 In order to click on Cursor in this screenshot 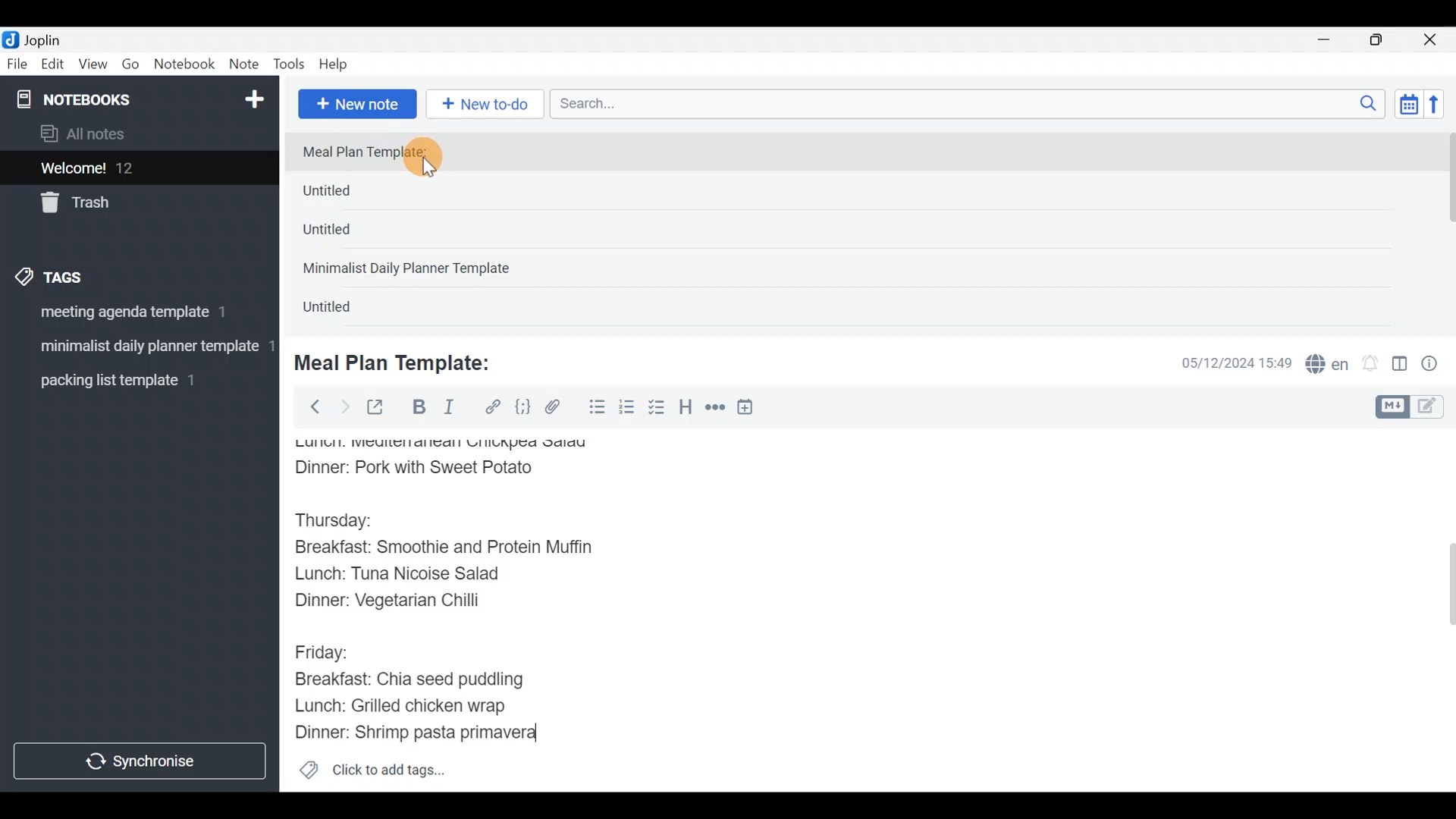, I will do `click(440, 160)`.